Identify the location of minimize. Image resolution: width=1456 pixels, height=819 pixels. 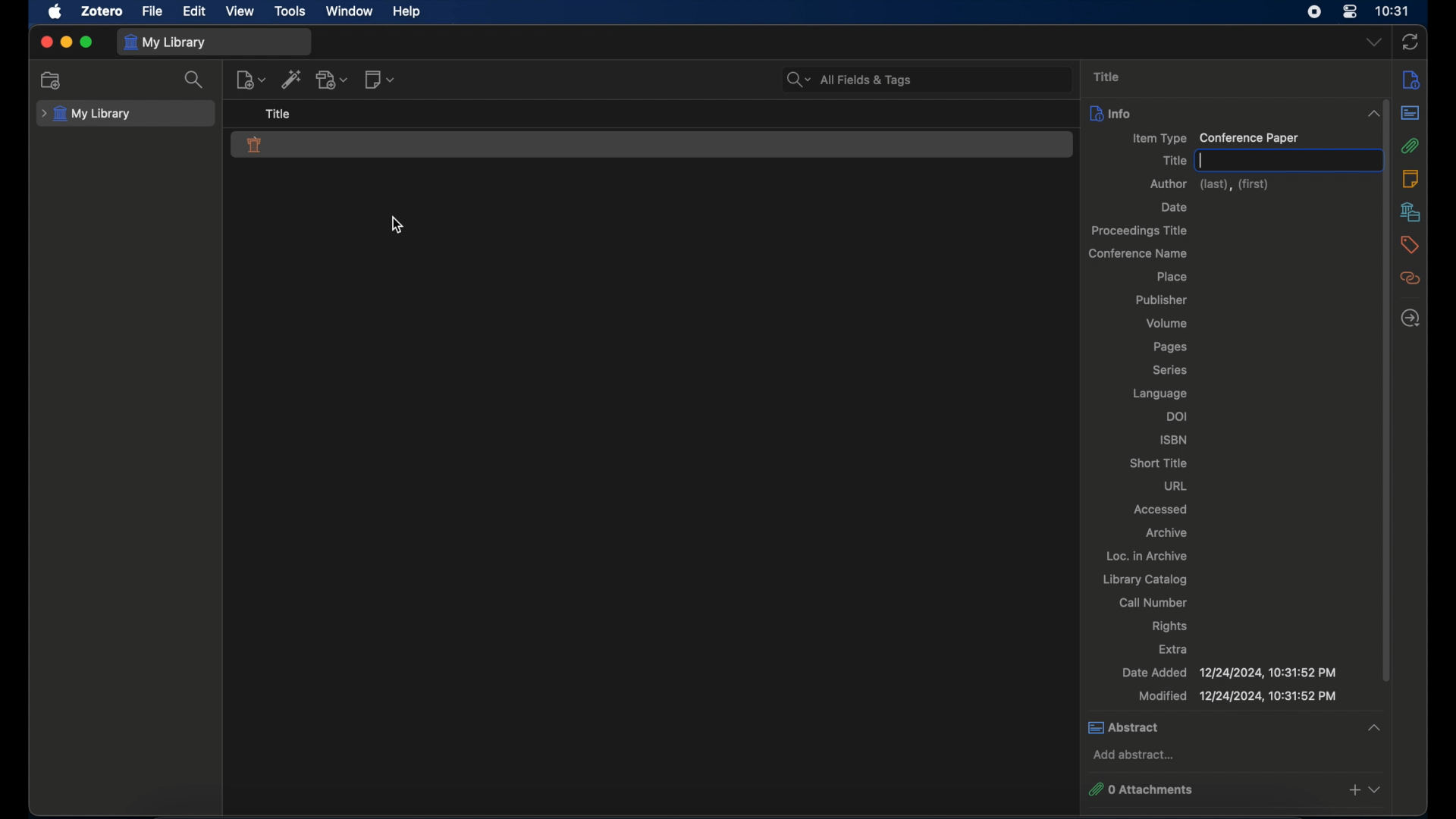
(65, 42).